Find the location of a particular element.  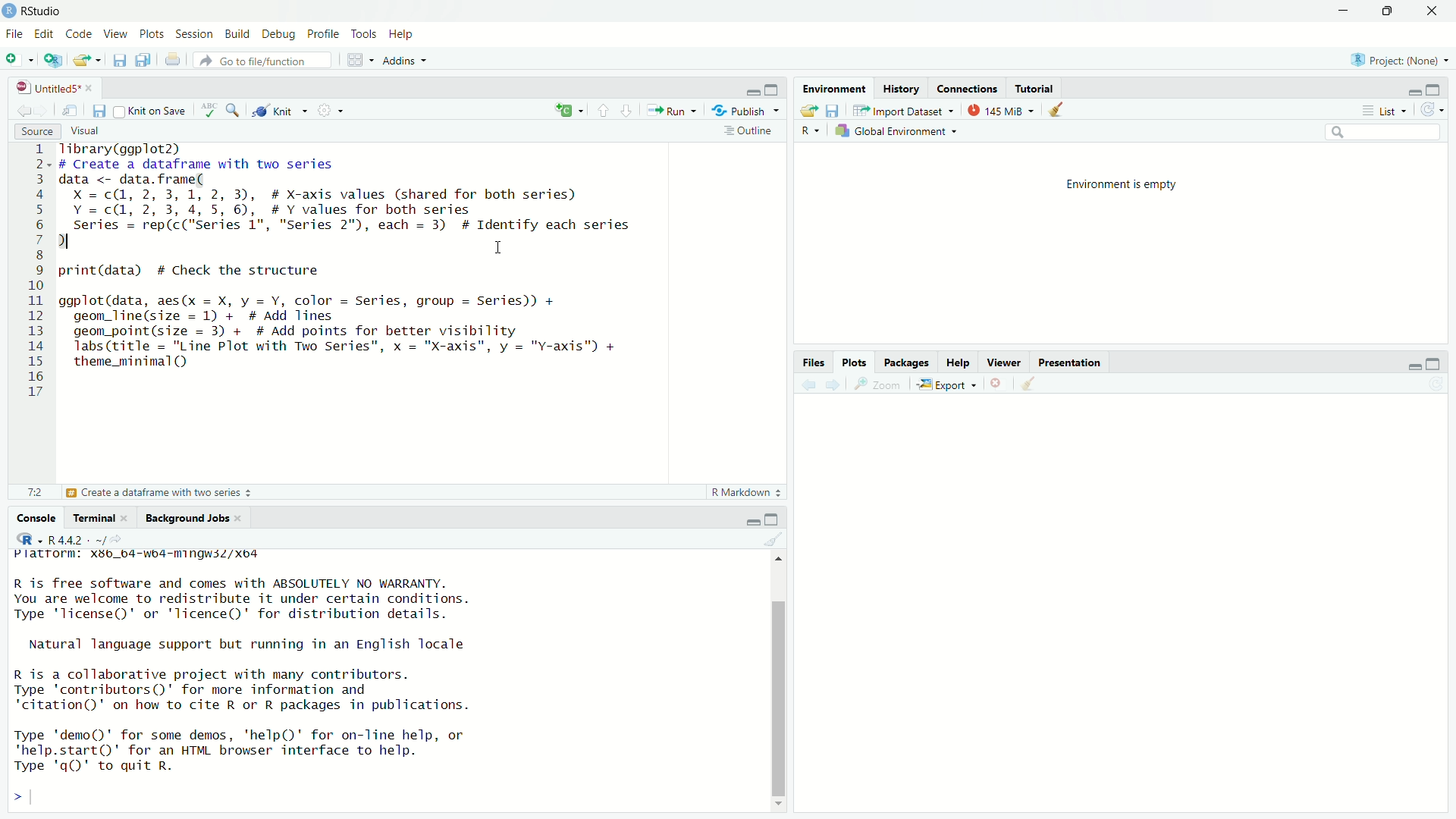

ABC is located at coordinates (208, 111).